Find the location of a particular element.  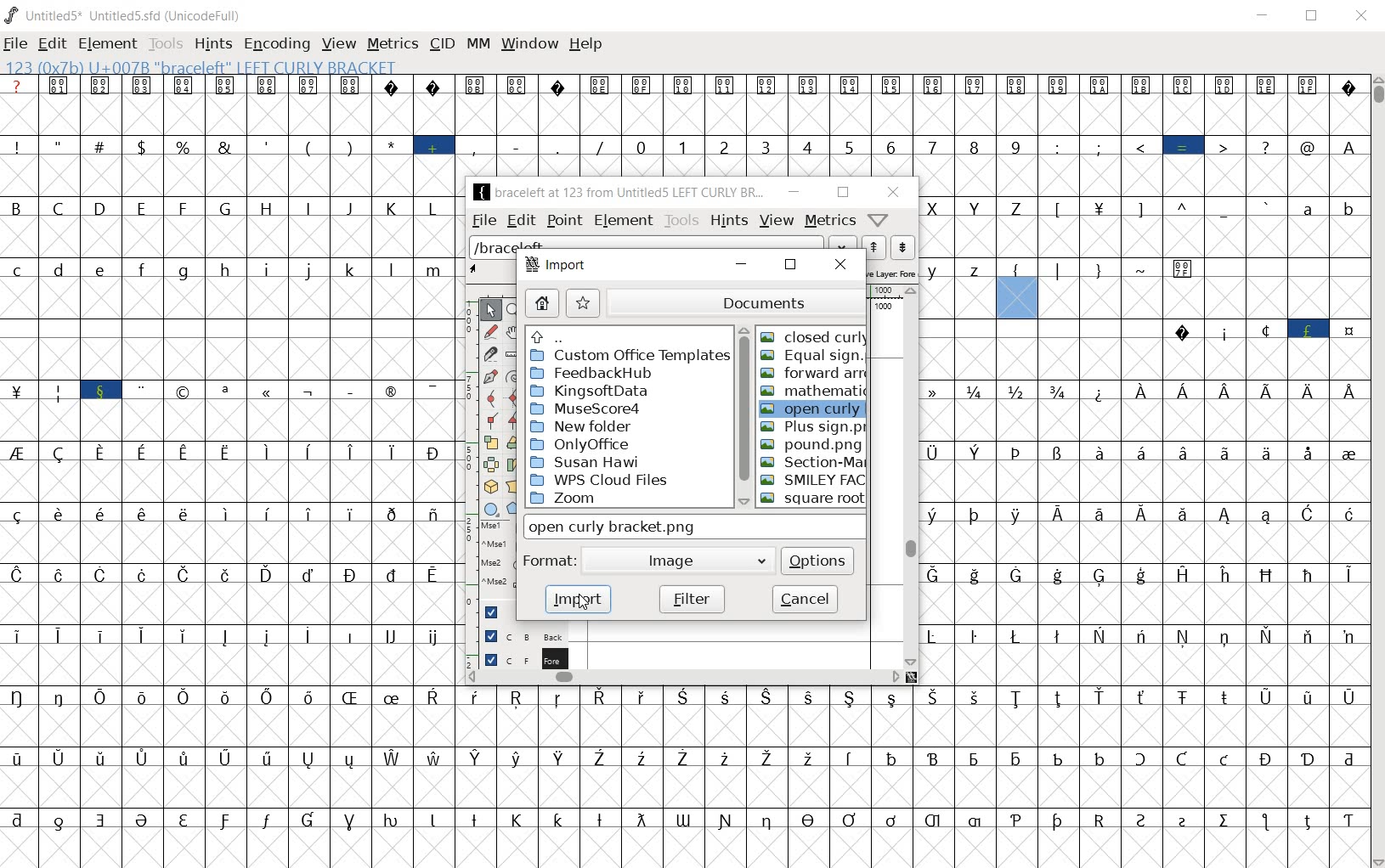

close is located at coordinates (1363, 13).